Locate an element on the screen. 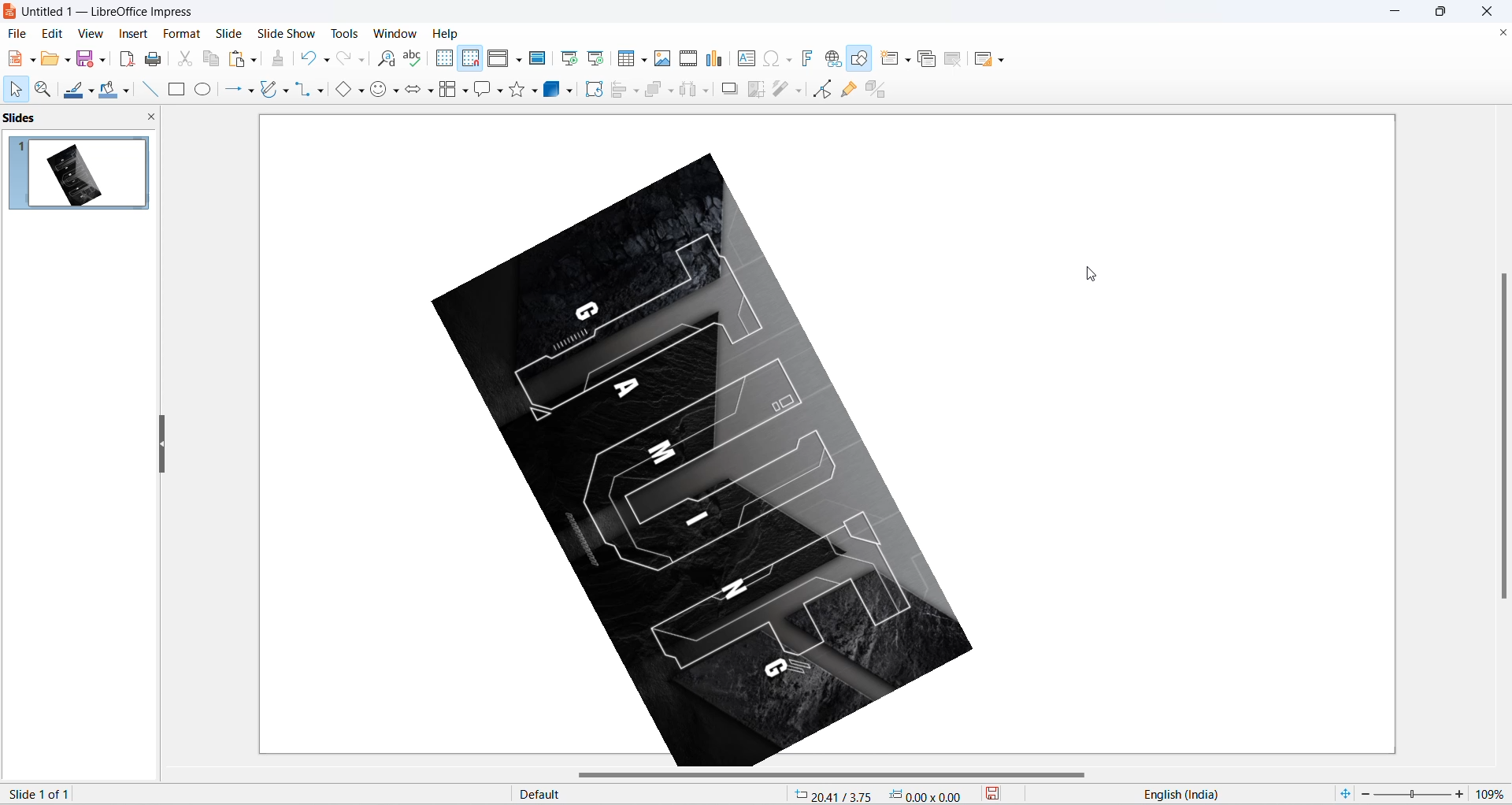  insert fontwork text is located at coordinates (806, 57).